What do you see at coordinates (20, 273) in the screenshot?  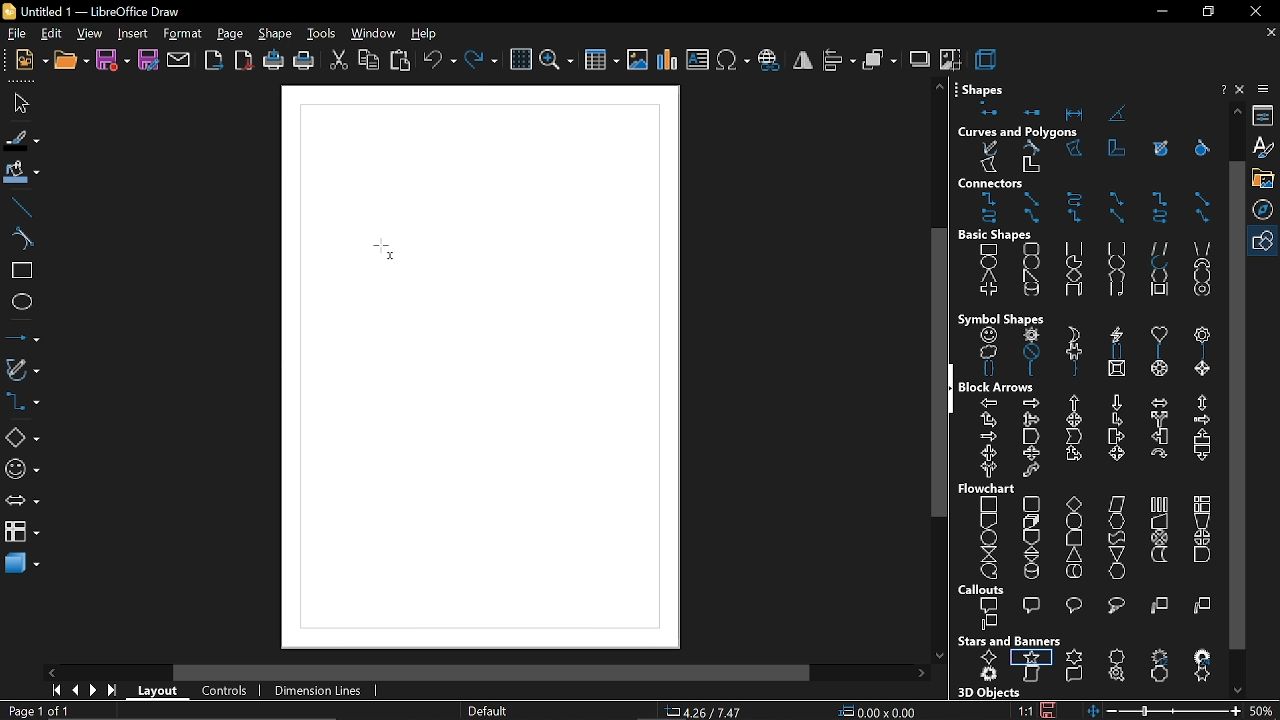 I see `rectangle` at bounding box center [20, 273].